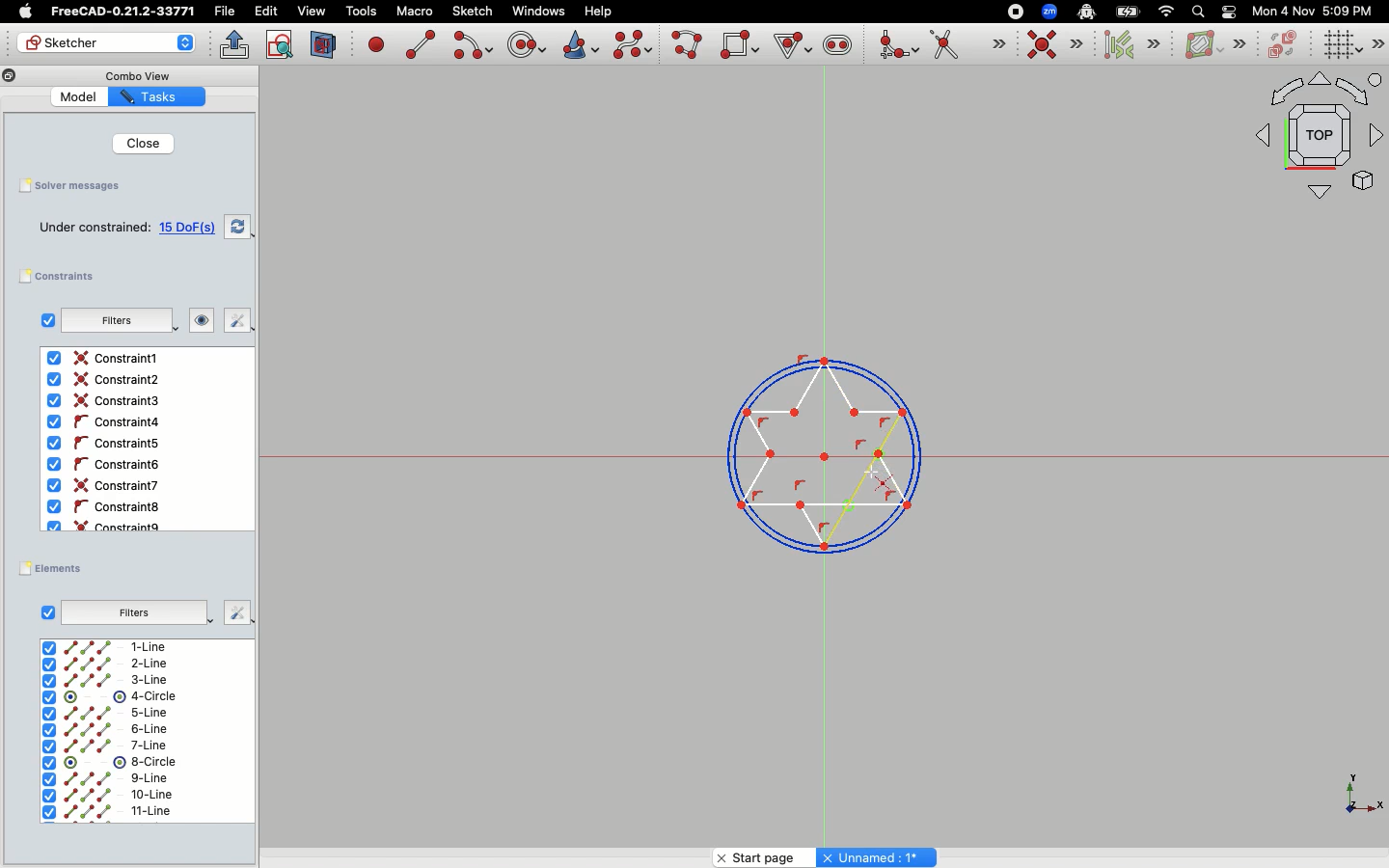 The width and height of the screenshot is (1389, 868). Describe the element at coordinates (281, 45) in the screenshot. I see `View sketch` at that location.